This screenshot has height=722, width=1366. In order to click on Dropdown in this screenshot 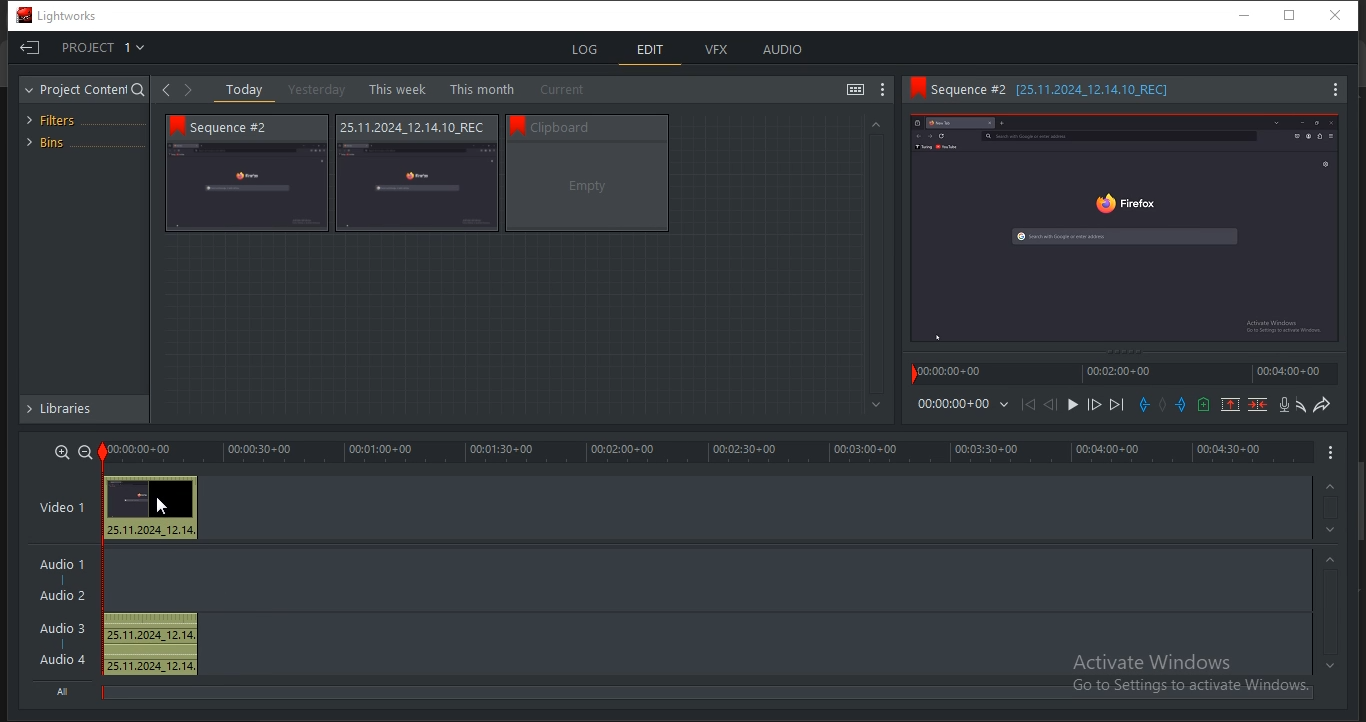, I will do `click(1001, 407)`.